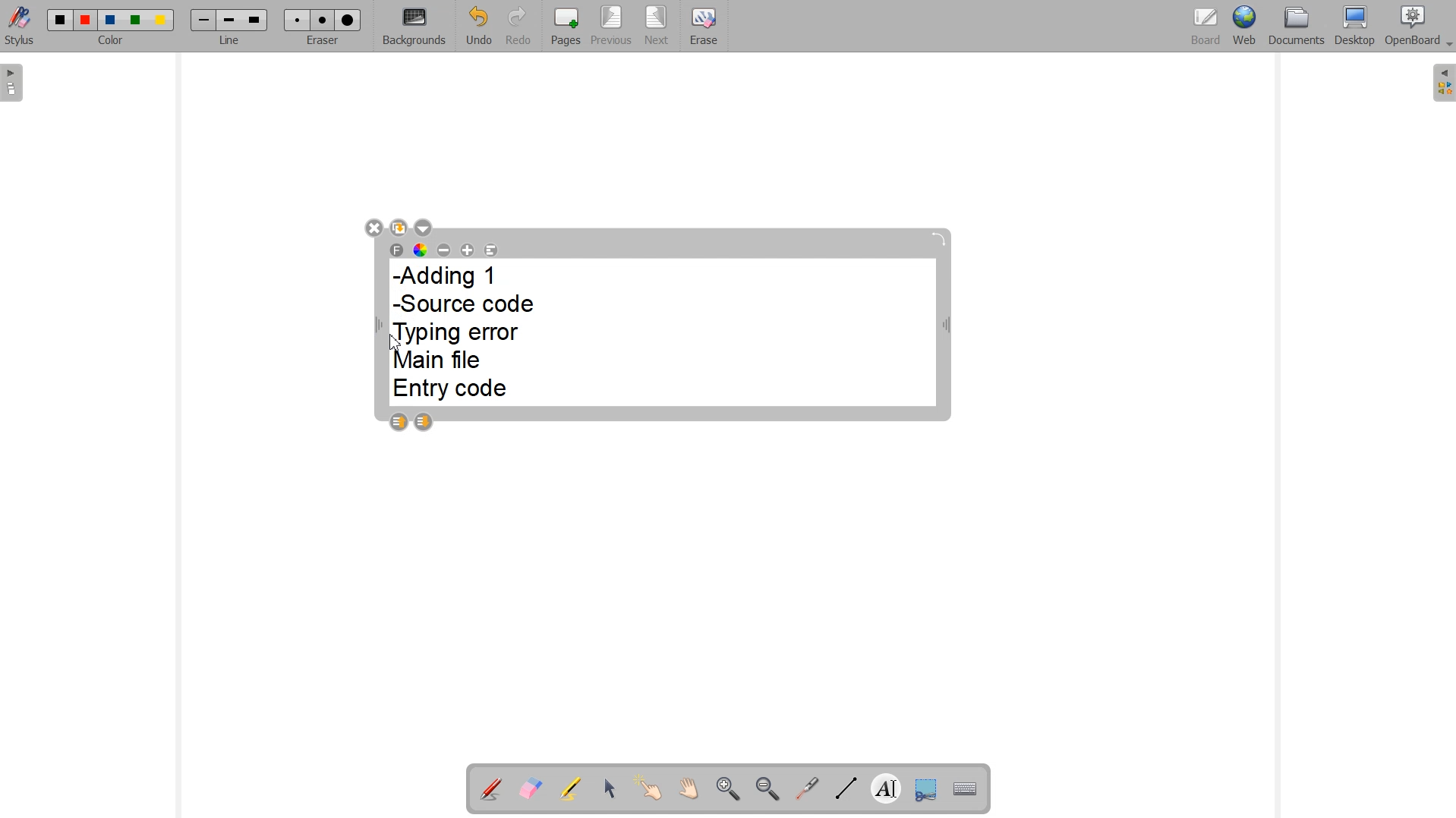 The width and height of the screenshot is (1456, 818). Describe the element at coordinates (397, 250) in the screenshot. I see `Select font` at that location.